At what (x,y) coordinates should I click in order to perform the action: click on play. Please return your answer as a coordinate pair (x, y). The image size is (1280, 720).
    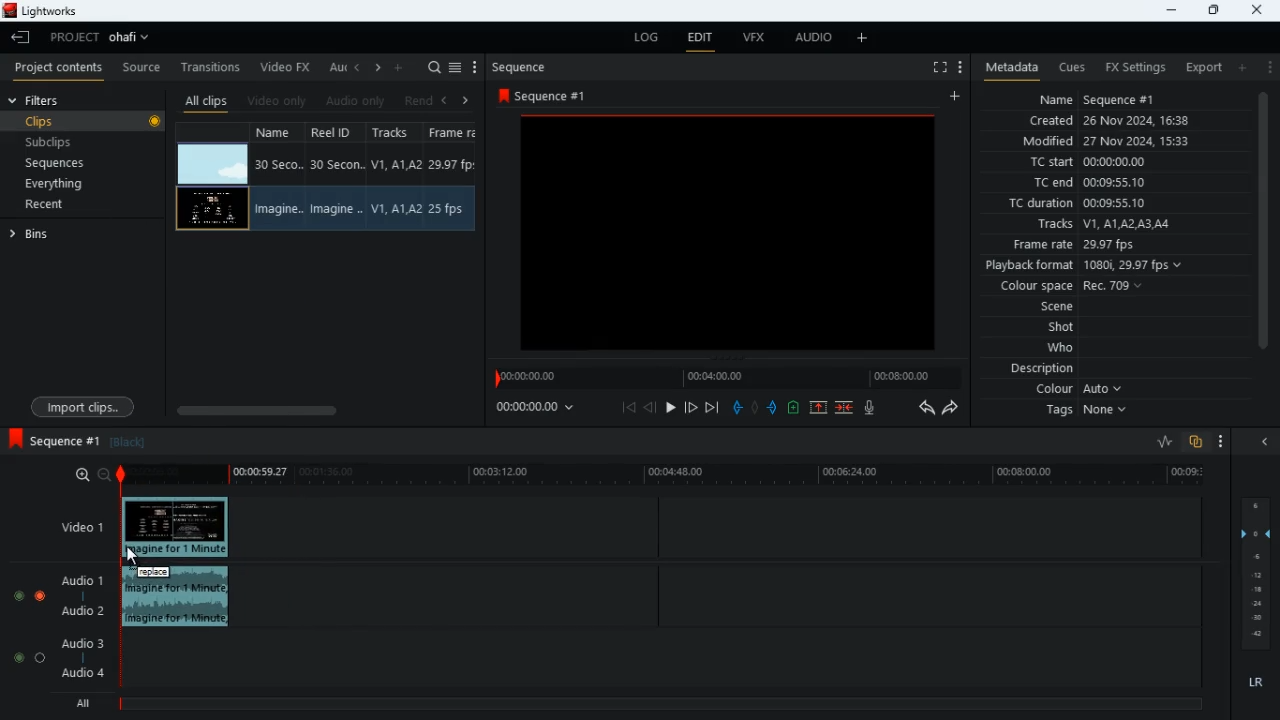
    Looking at the image, I should click on (672, 406).